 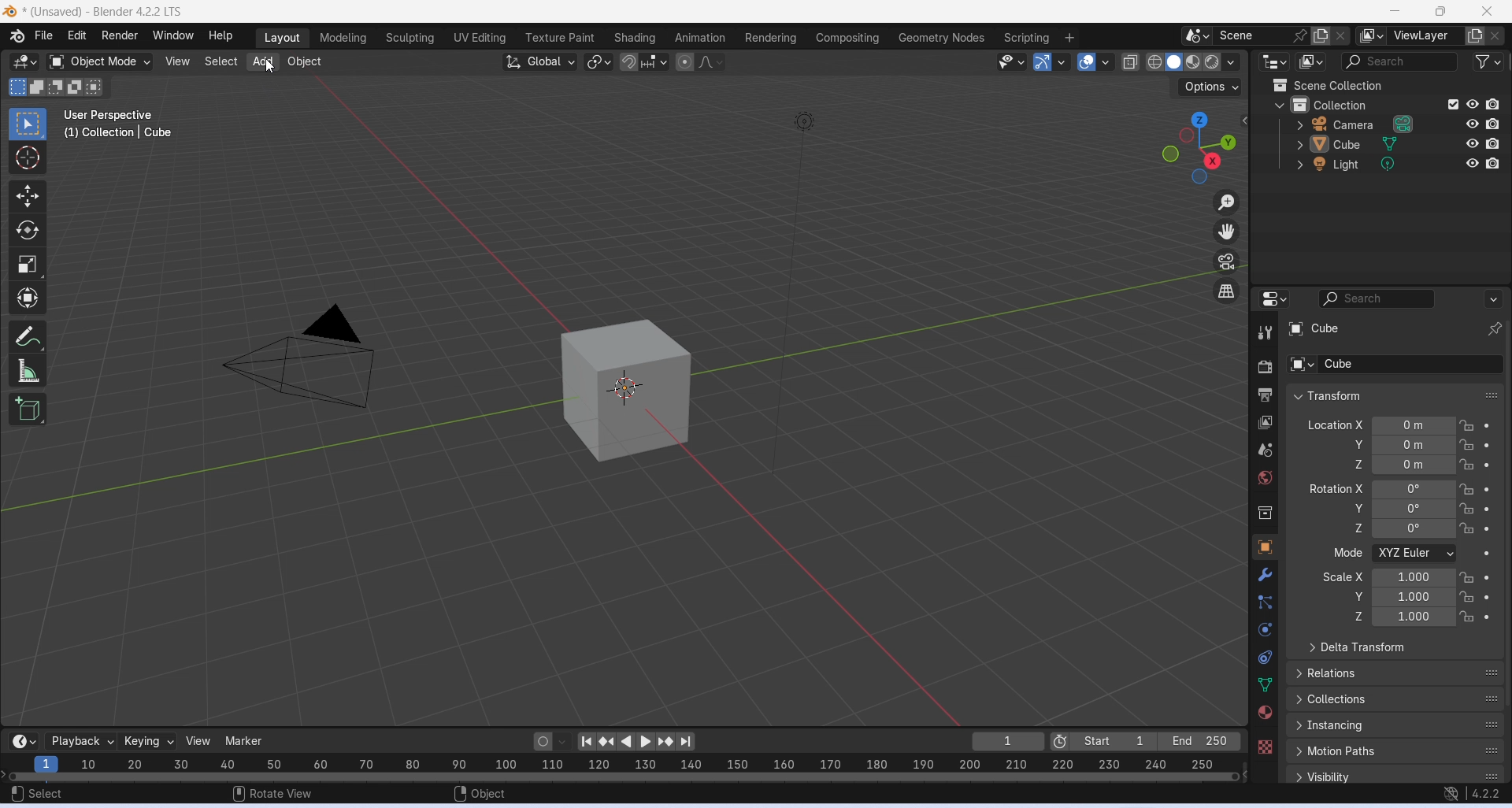 What do you see at coordinates (1198, 35) in the screenshot?
I see `browse scene` at bounding box center [1198, 35].